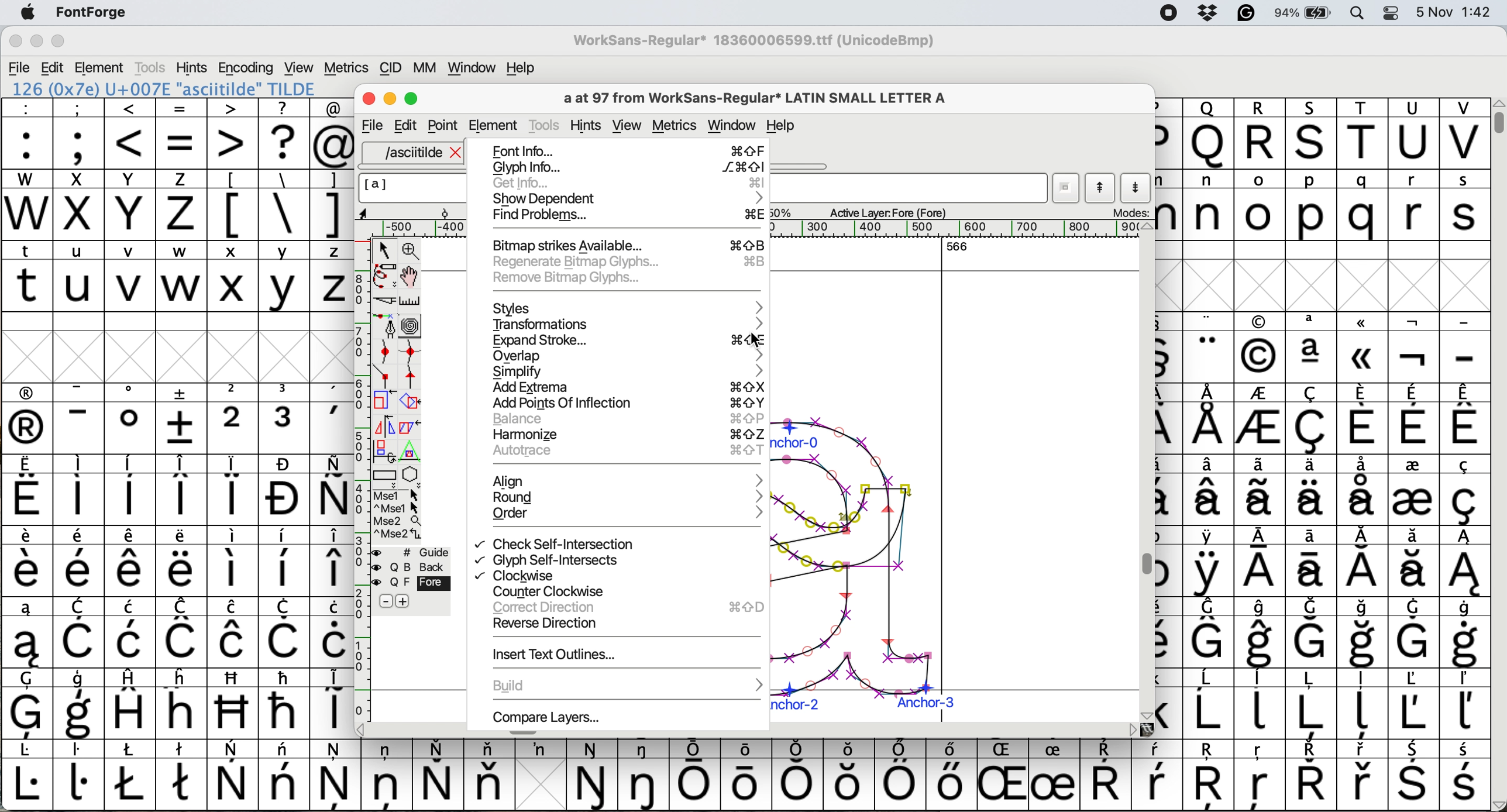  Describe the element at coordinates (631, 481) in the screenshot. I see `align` at that location.